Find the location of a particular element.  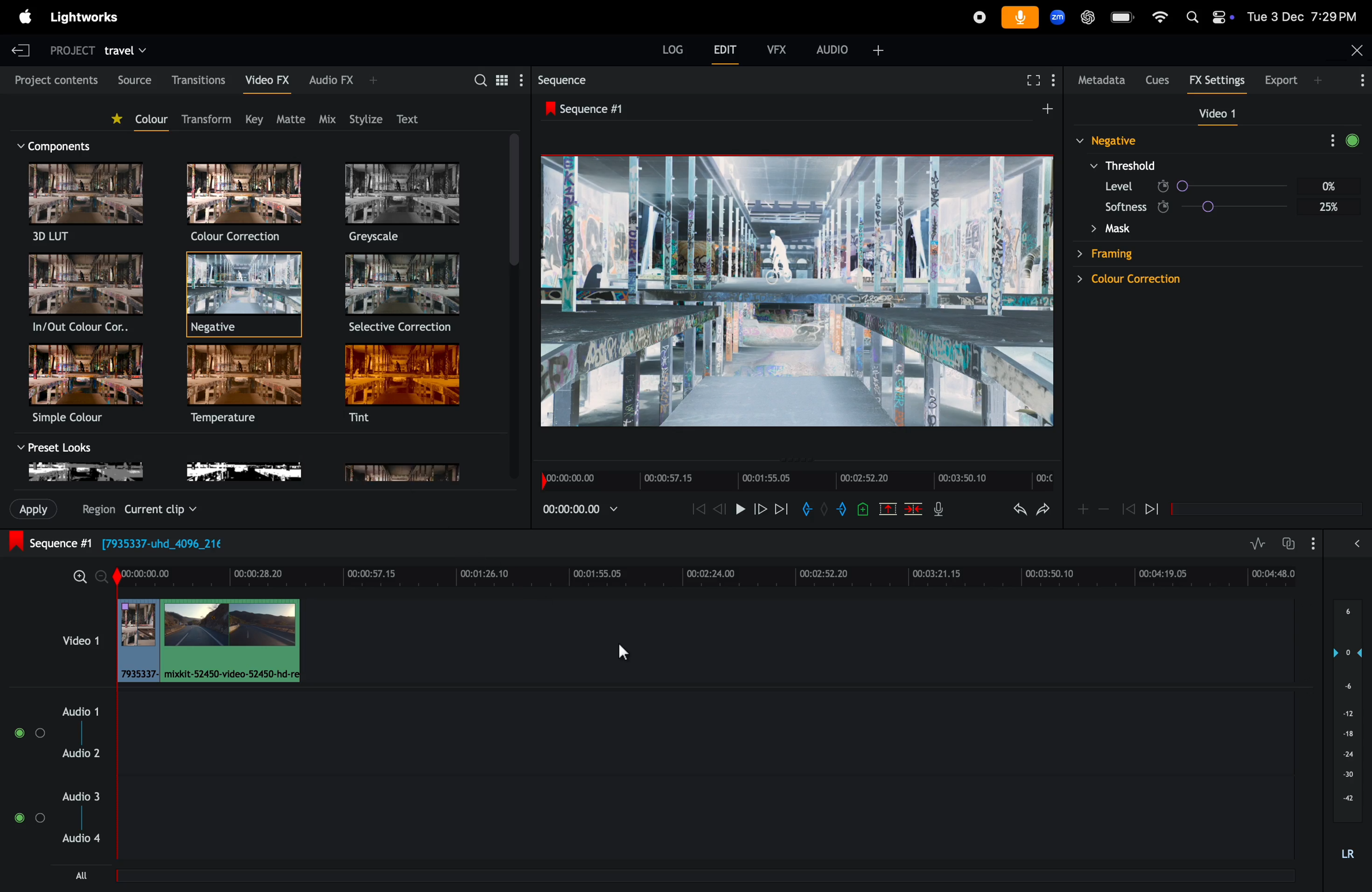

pause is located at coordinates (738, 509).